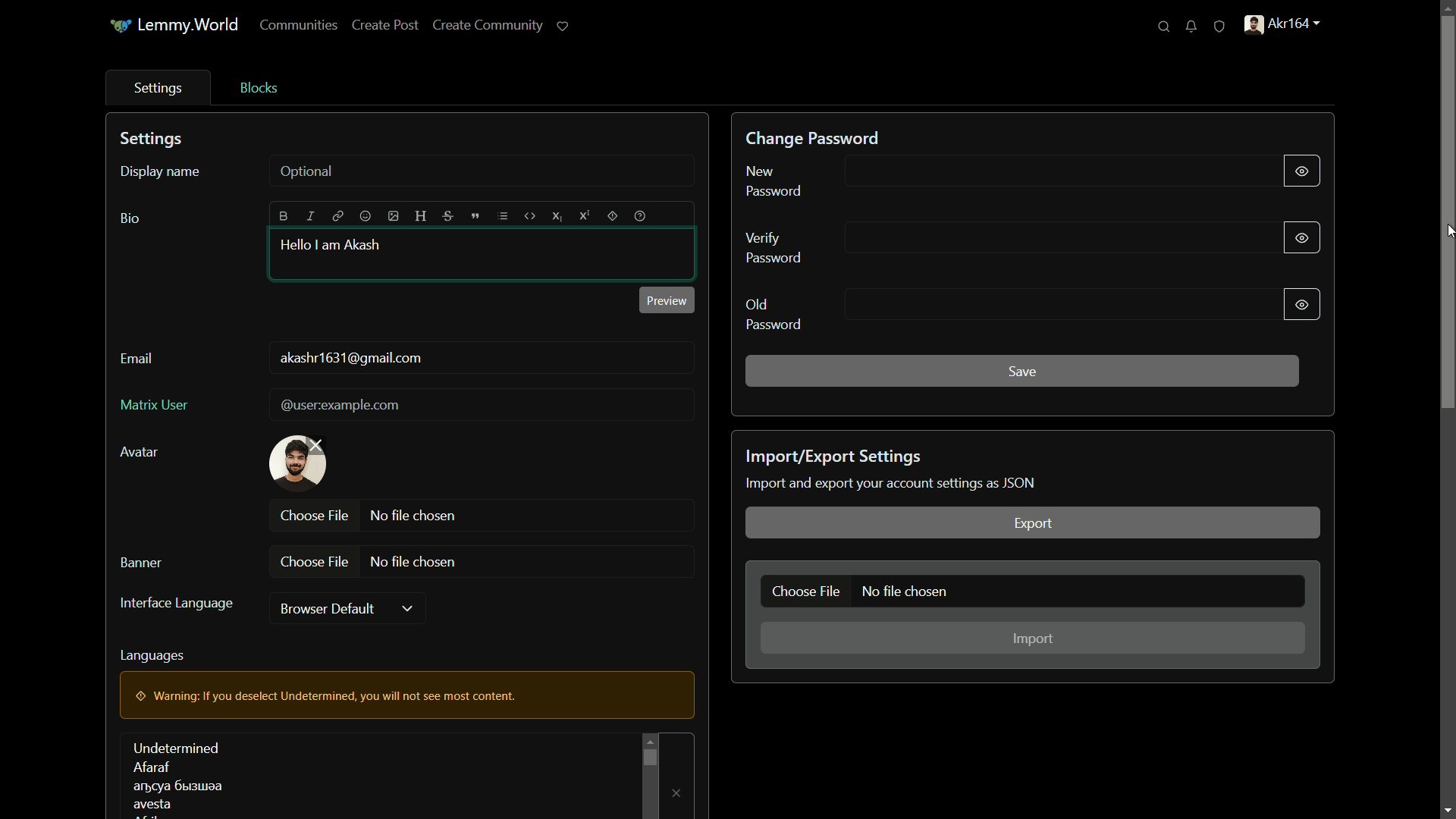  Describe the element at coordinates (447, 216) in the screenshot. I see `strikethrough` at that location.